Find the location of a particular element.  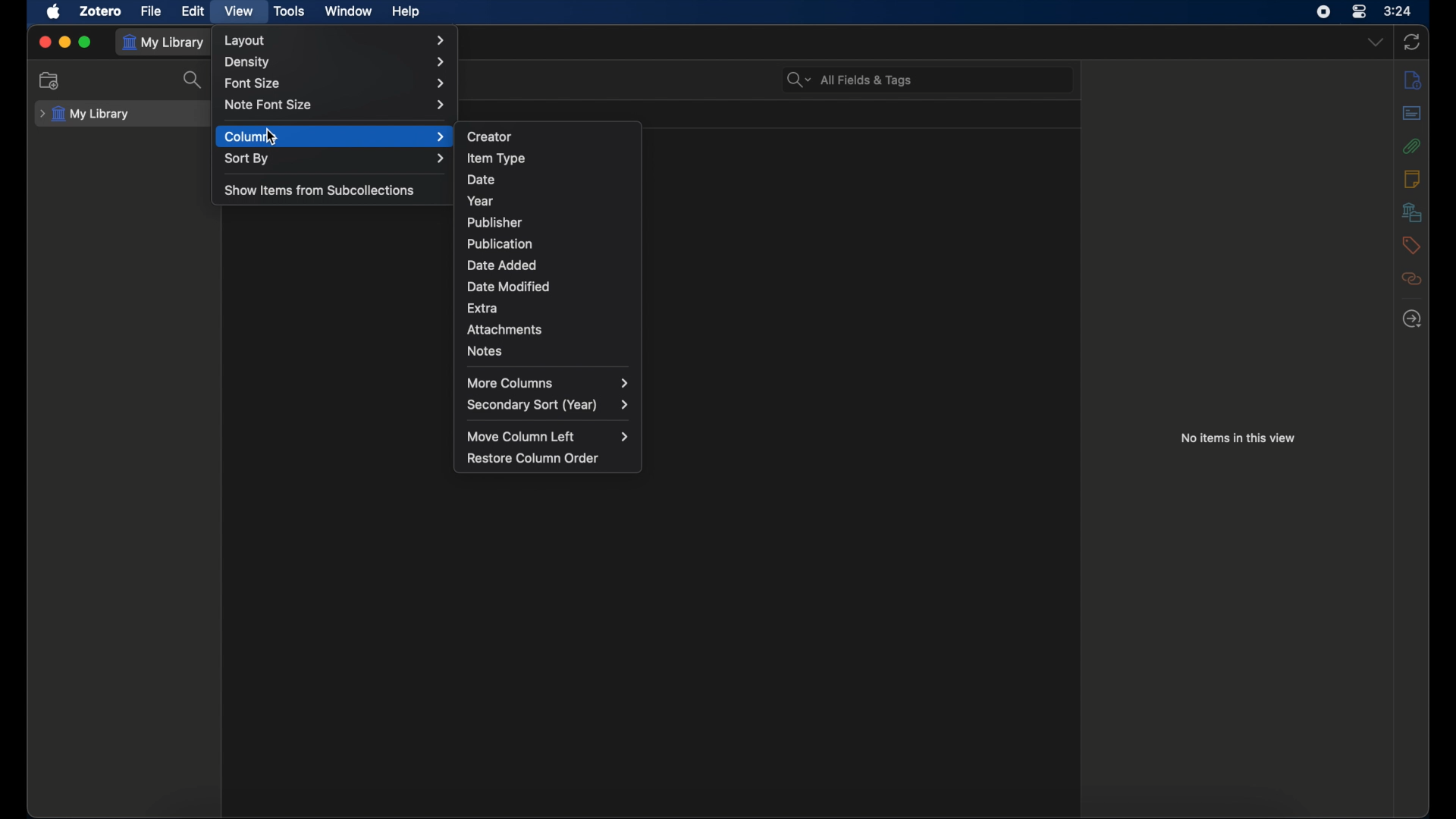

secondary sort is located at coordinates (550, 405).